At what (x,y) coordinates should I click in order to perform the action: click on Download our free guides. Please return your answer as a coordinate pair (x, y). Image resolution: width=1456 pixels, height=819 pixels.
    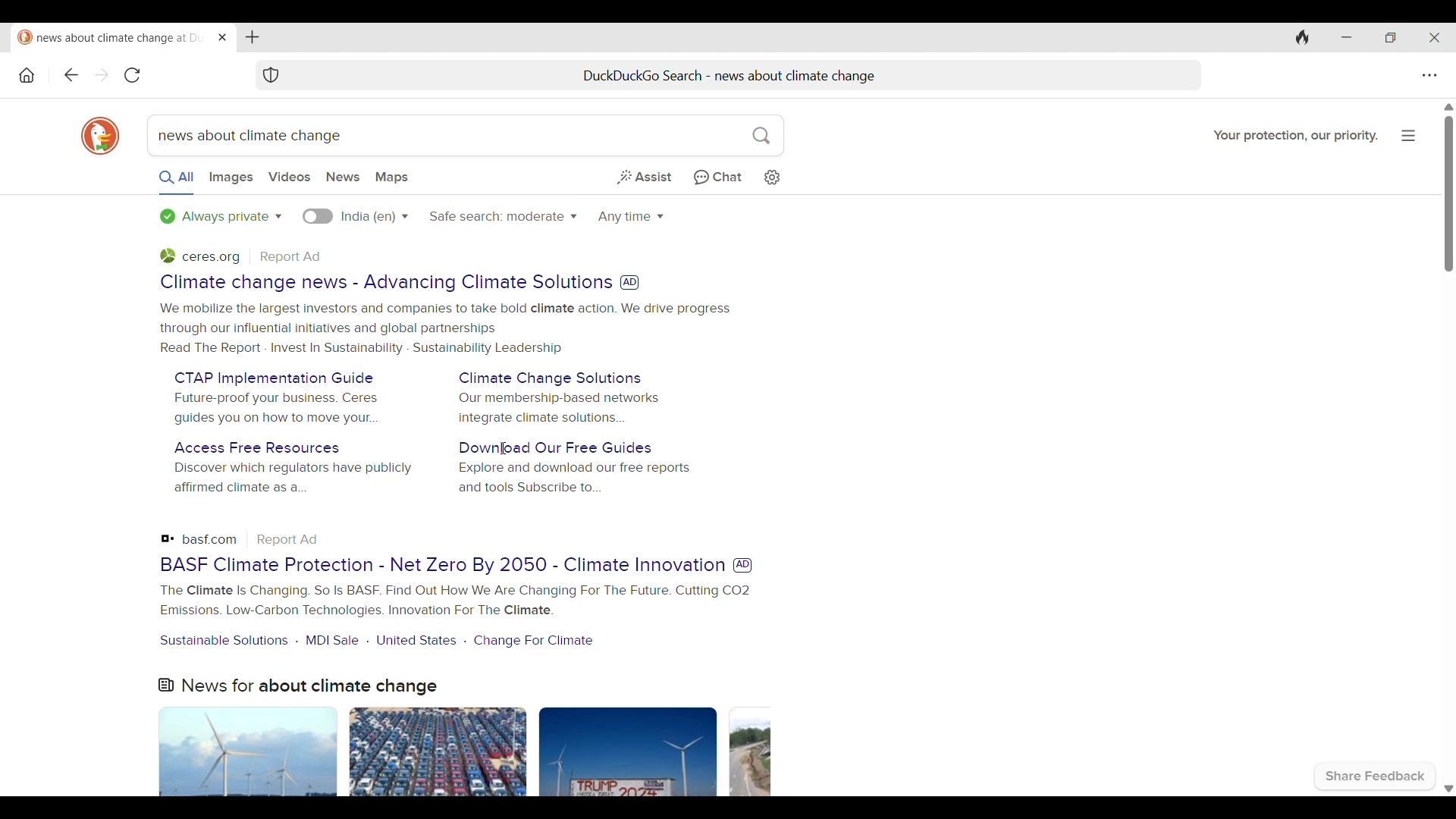
    Looking at the image, I should click on (554, 448).